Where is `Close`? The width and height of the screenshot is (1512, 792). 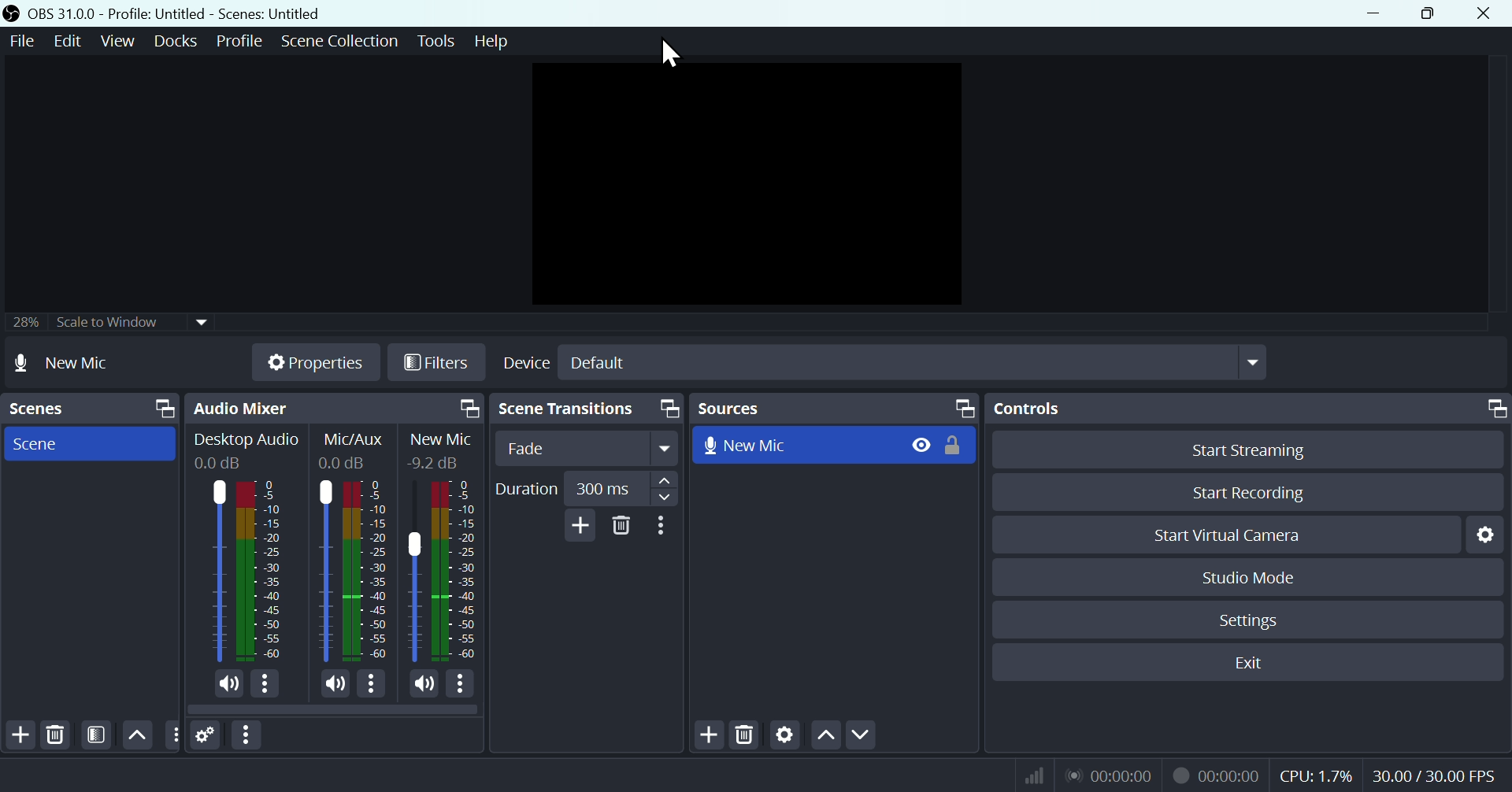
Close is located at coordinates (1482, 13).